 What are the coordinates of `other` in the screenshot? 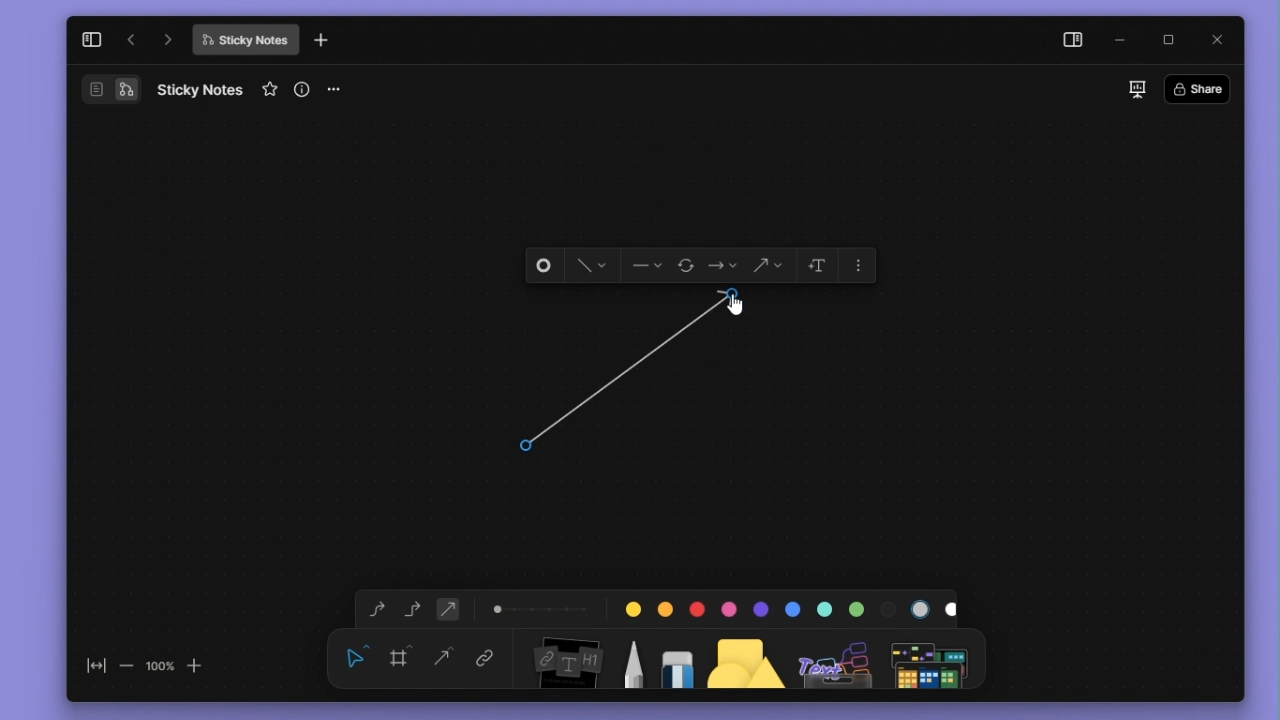 It's located at (837, 658).